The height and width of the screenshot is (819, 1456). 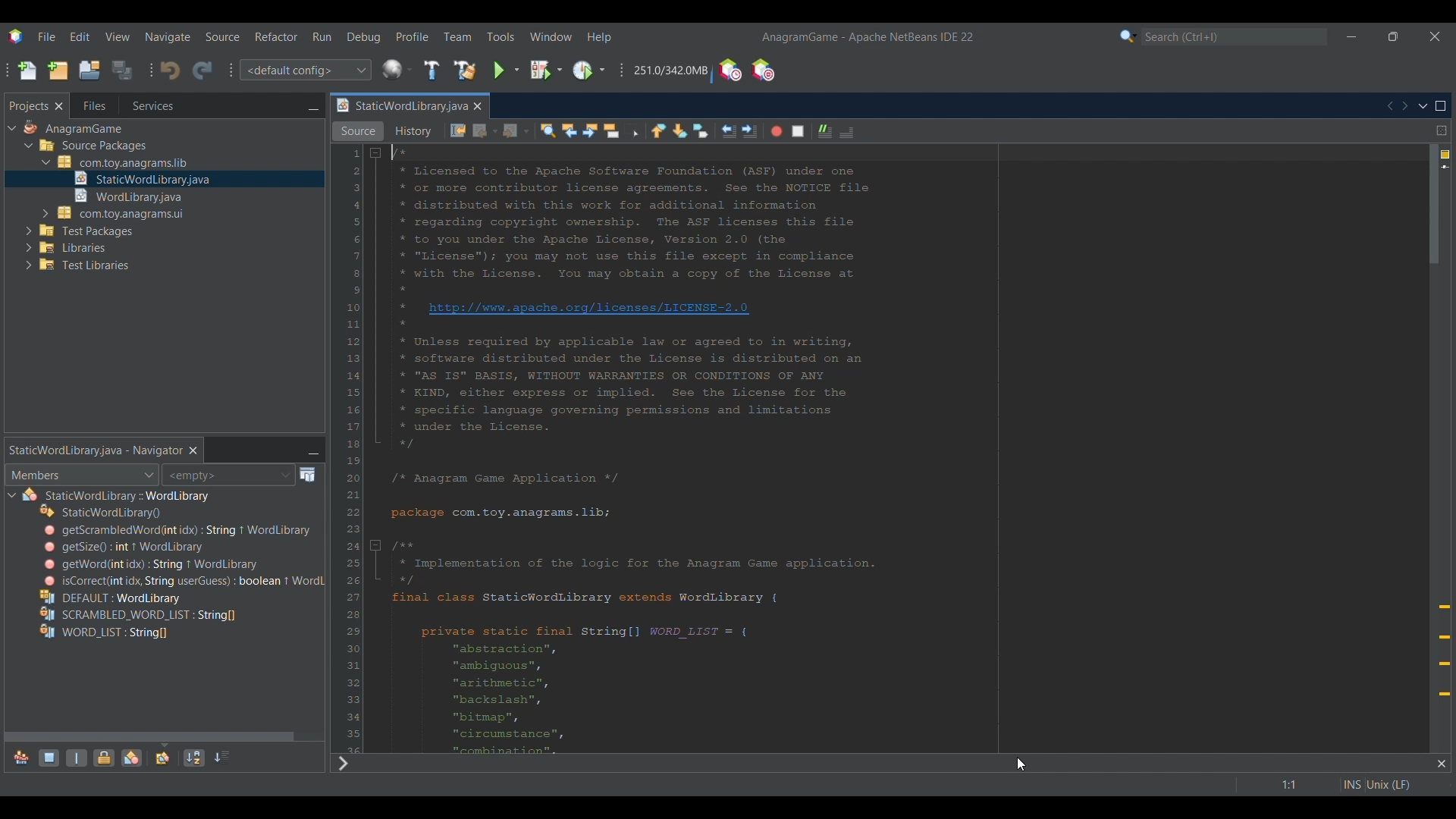 What do you see at coordinates (132, 758) in the screenshot?
I see `Show inner classes` at bounding box center [132, 758].